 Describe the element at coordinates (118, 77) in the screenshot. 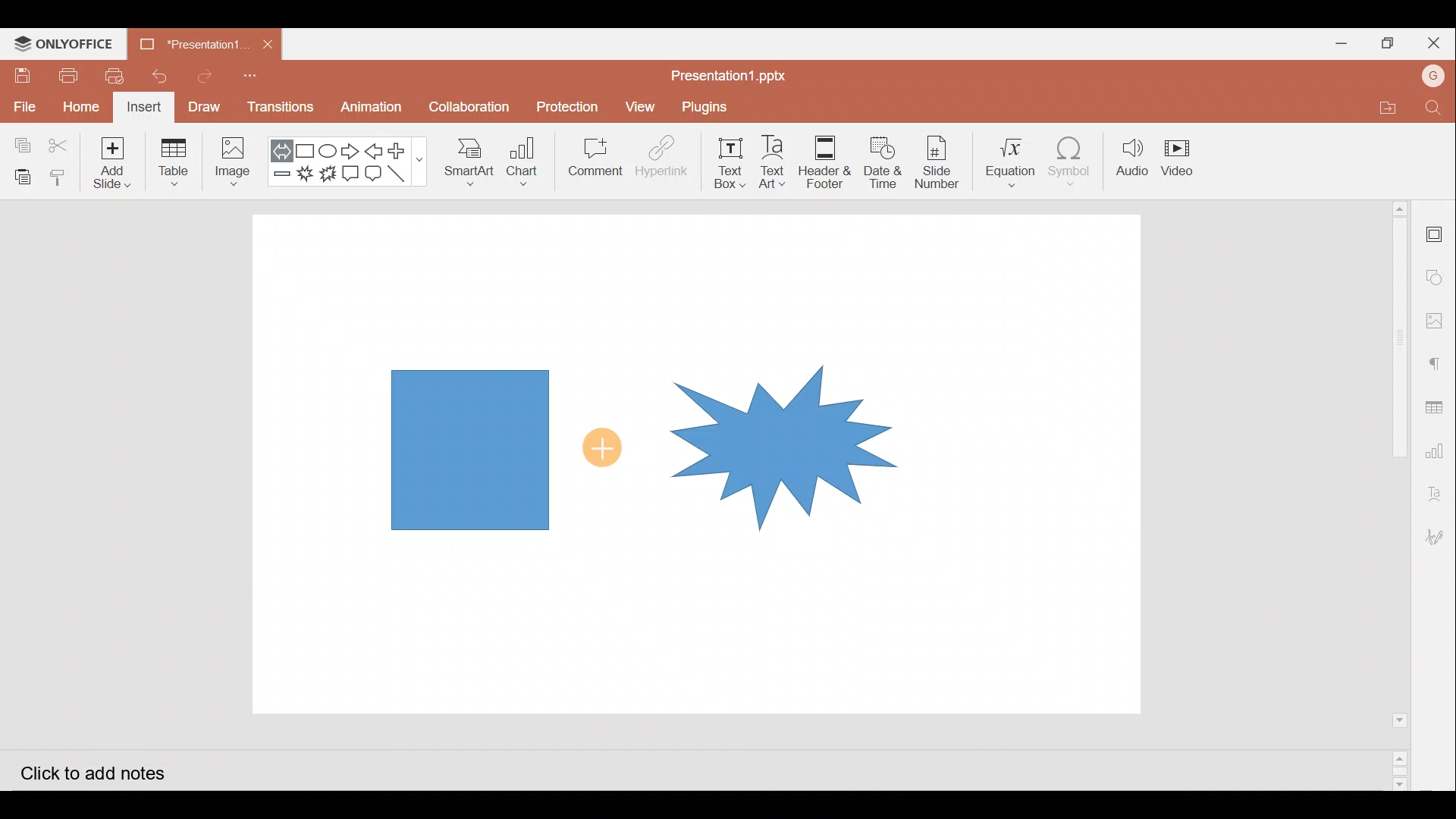

I see `Quick print` at that location.